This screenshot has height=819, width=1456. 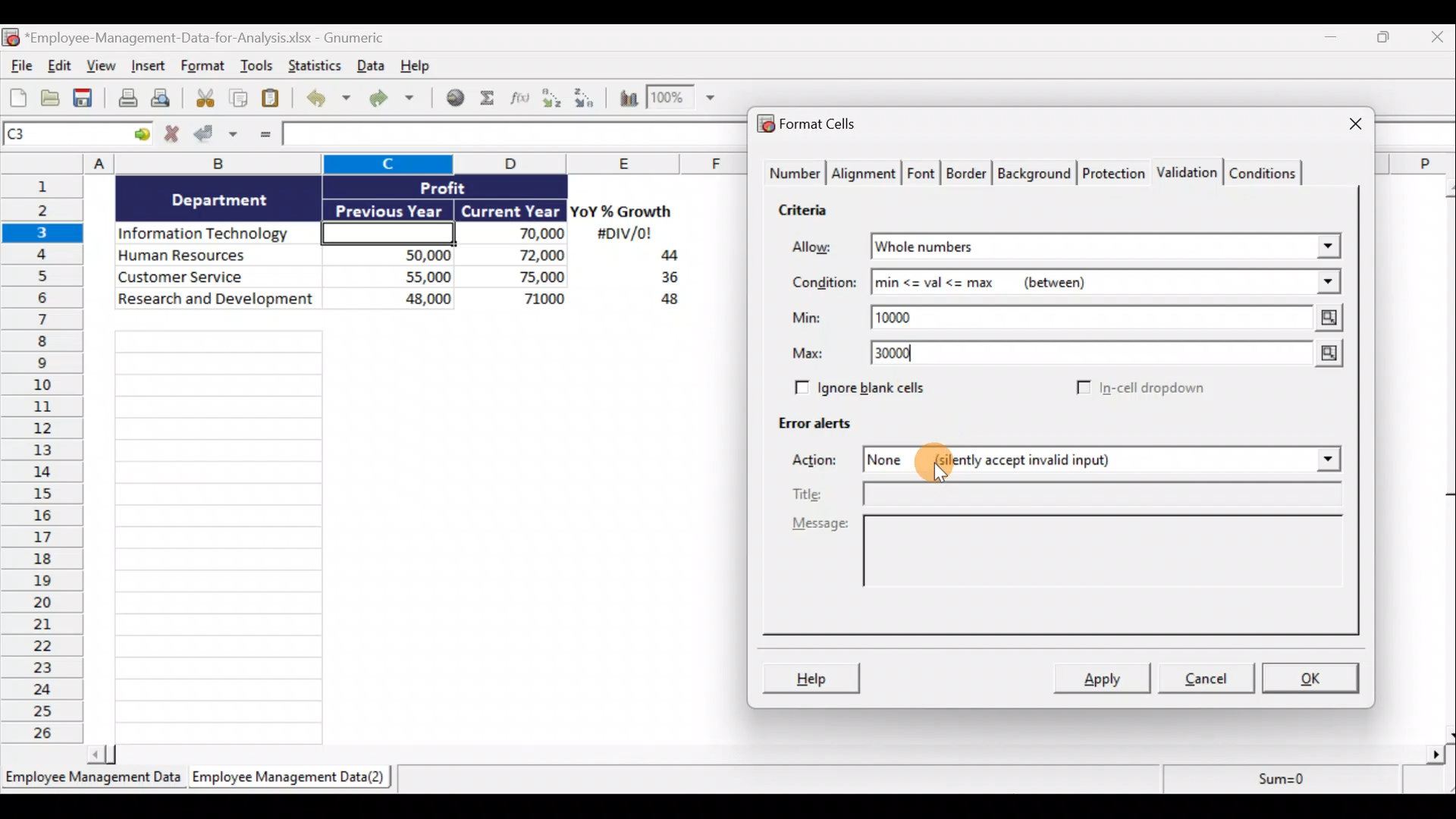 What do you see at coordinates (905, 316) in the screenshot?
I see `10000` at bounding box center [905, 316].